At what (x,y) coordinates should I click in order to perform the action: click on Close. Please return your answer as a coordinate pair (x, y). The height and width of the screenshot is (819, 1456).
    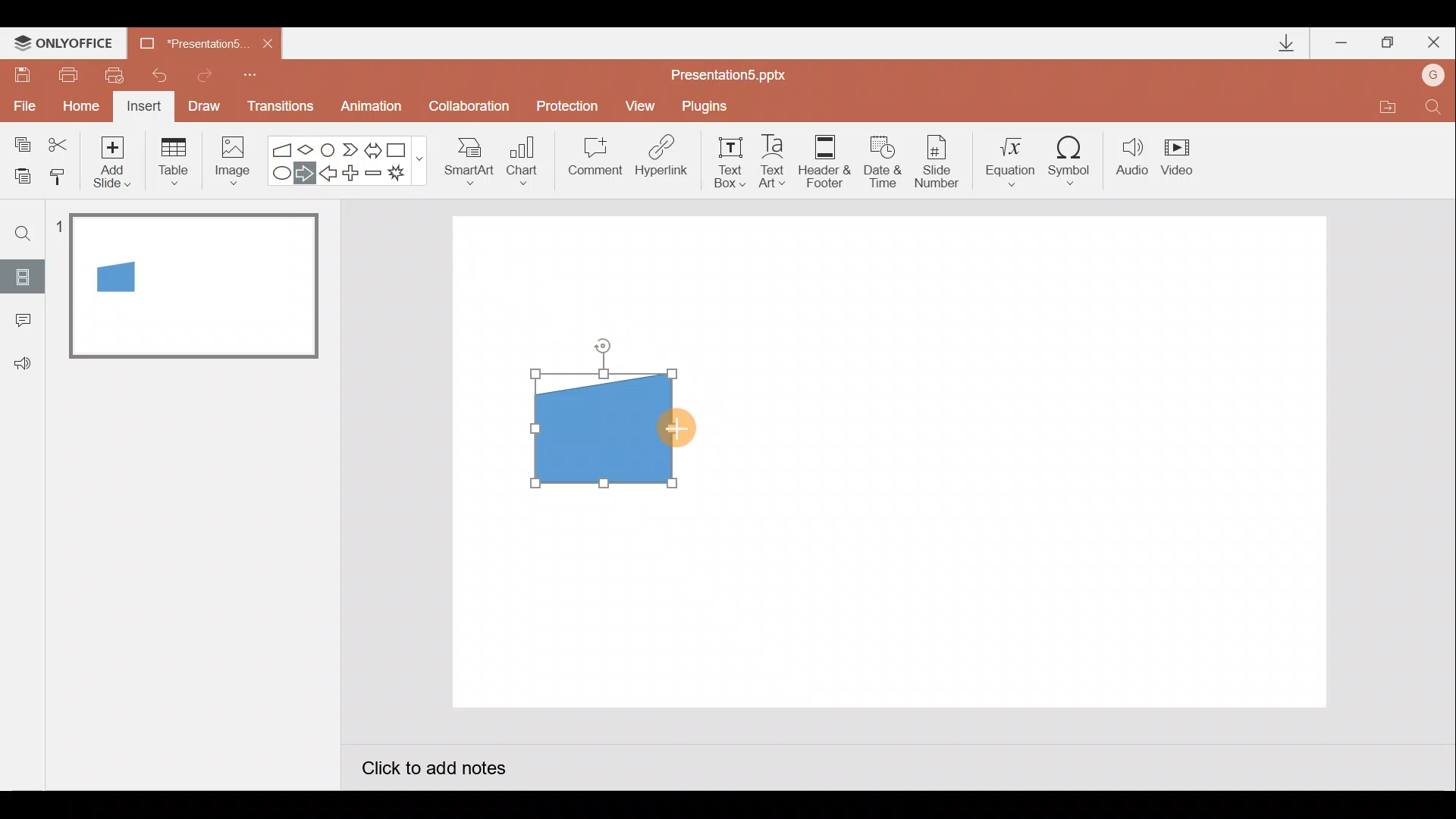
    Looking at the image, I should click on (1434, 45).